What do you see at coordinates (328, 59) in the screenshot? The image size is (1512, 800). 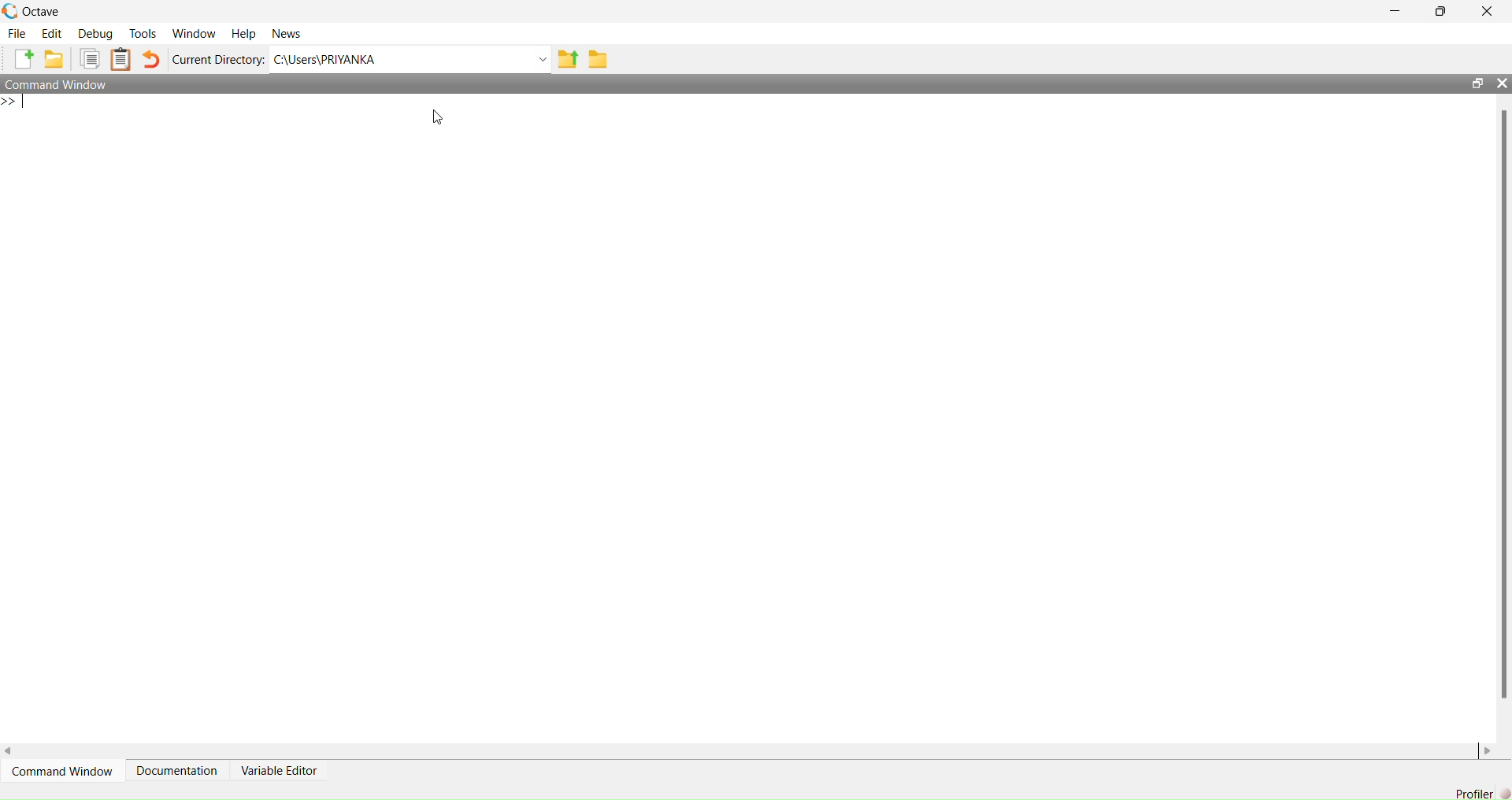 I see `C:\Users\PRIYANKA` at bounding box center [328, 59].